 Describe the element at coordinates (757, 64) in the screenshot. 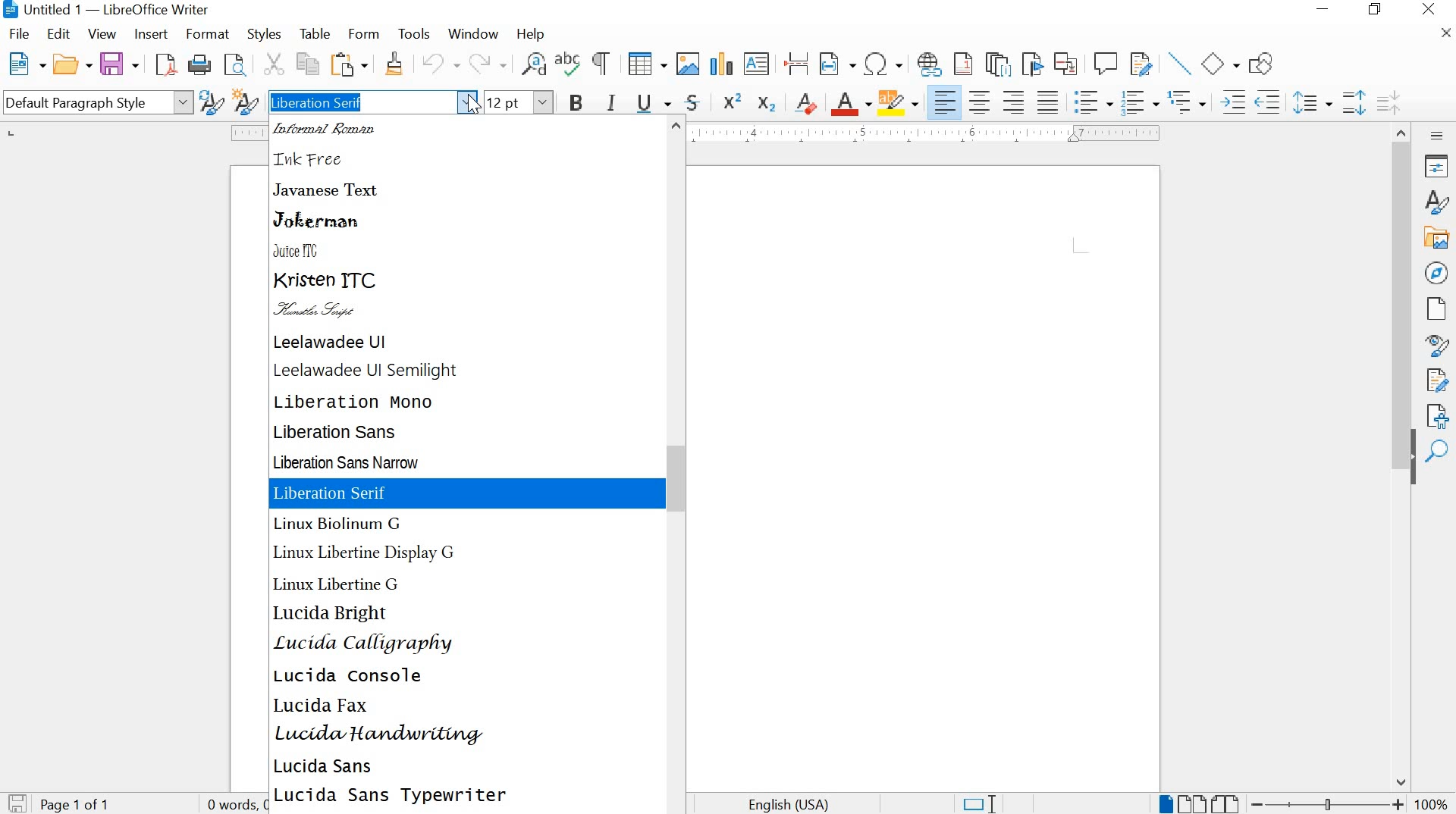

I see `INSERT TEXT BOX` at that location.